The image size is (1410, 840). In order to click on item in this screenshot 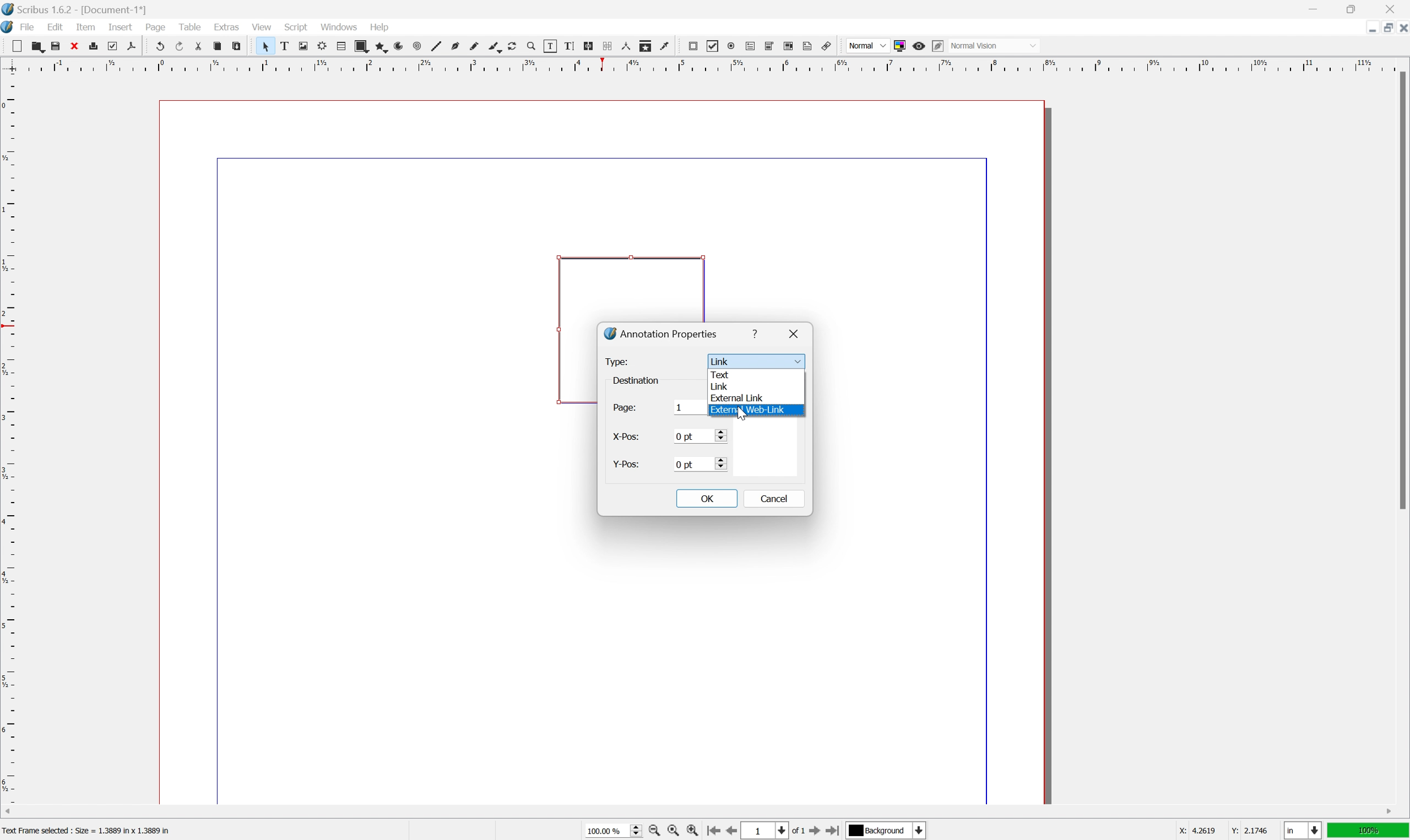, I will do `click(86, 27)`.